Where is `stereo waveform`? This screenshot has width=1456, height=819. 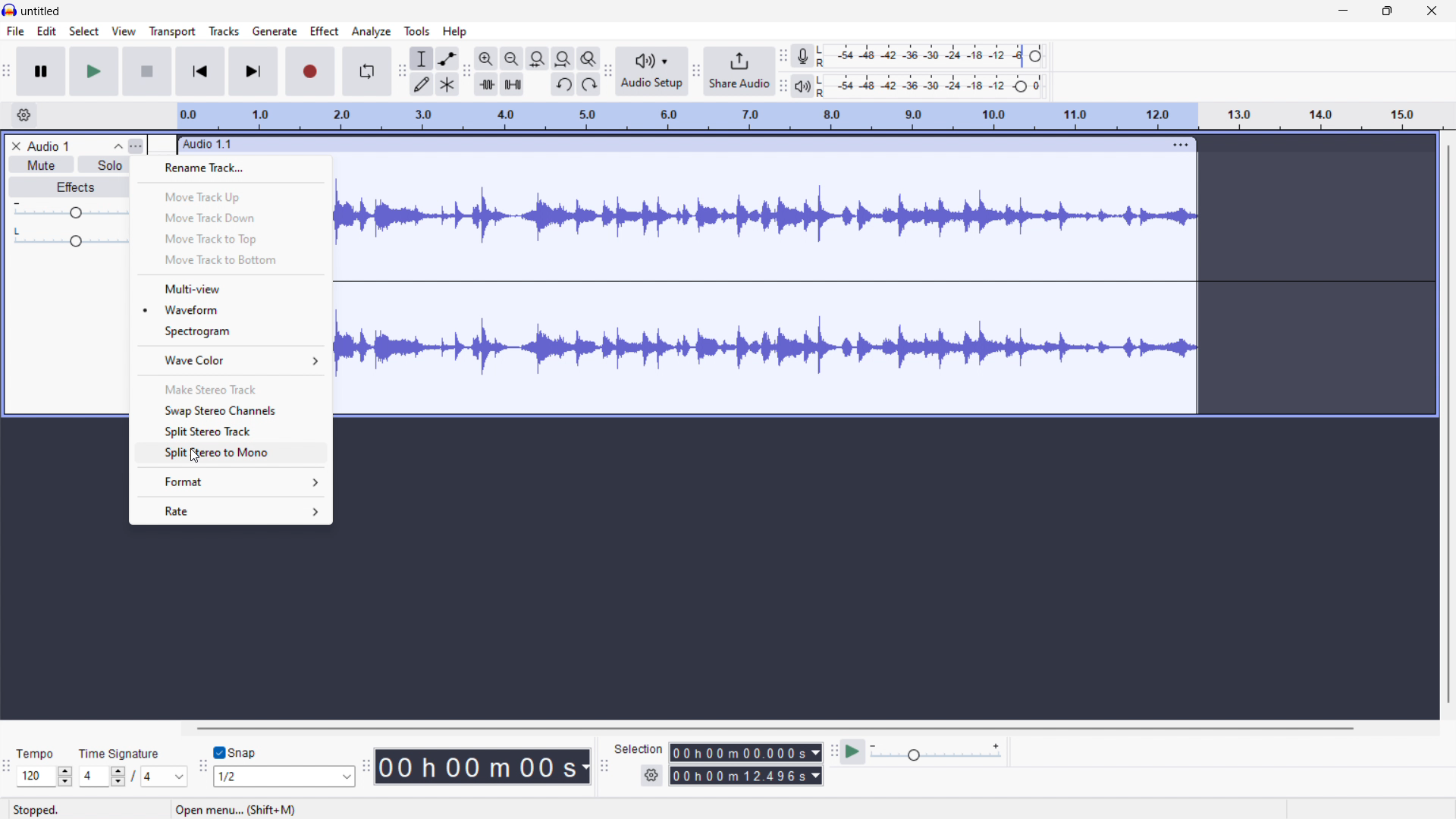 stereo waveform is located at coordinates (766, 220).